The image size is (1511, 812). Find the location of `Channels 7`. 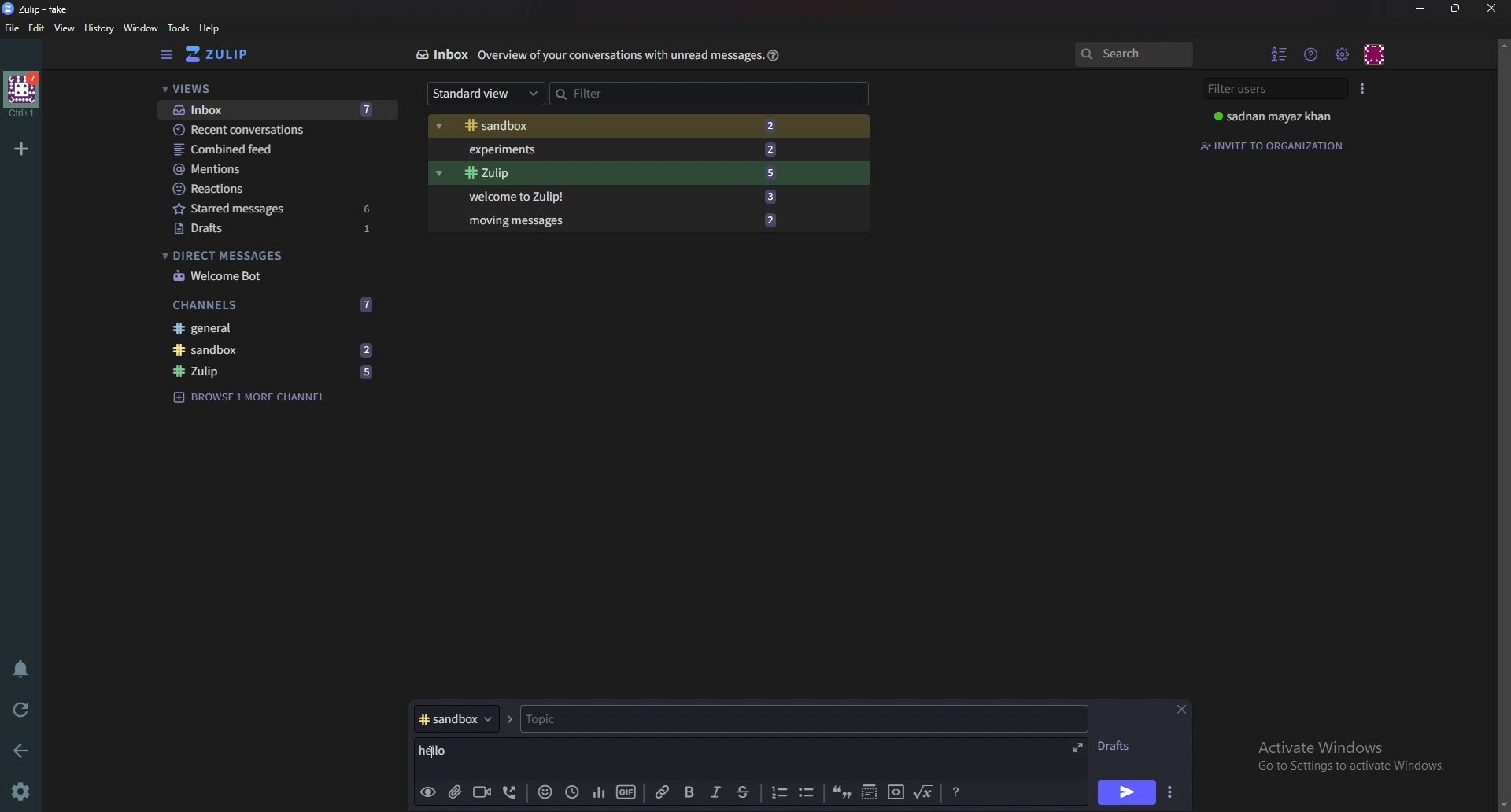

Channels 7 is located at coordinates (272, 305).